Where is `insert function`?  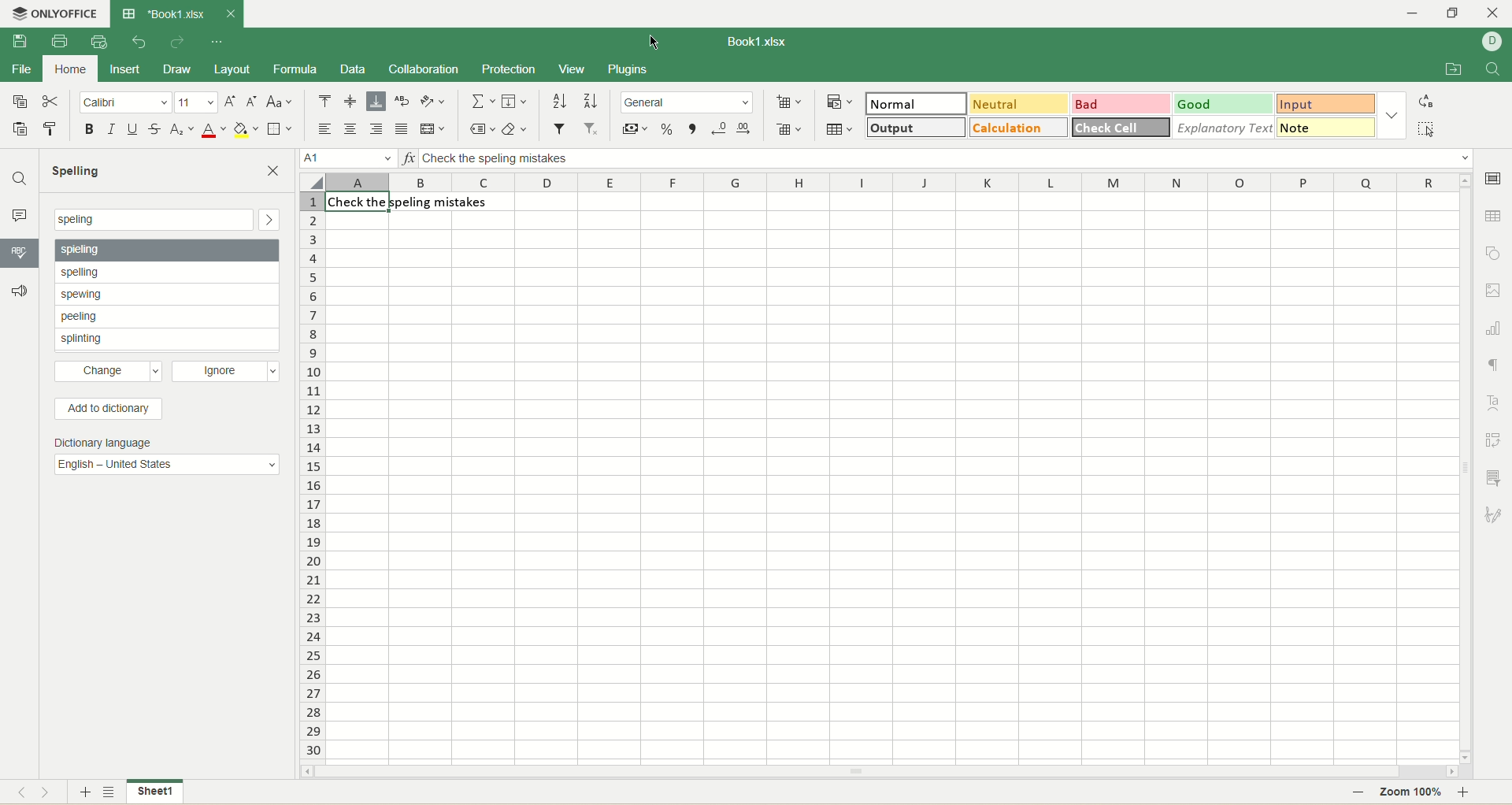 insert function is located at coordinates (409, 158).